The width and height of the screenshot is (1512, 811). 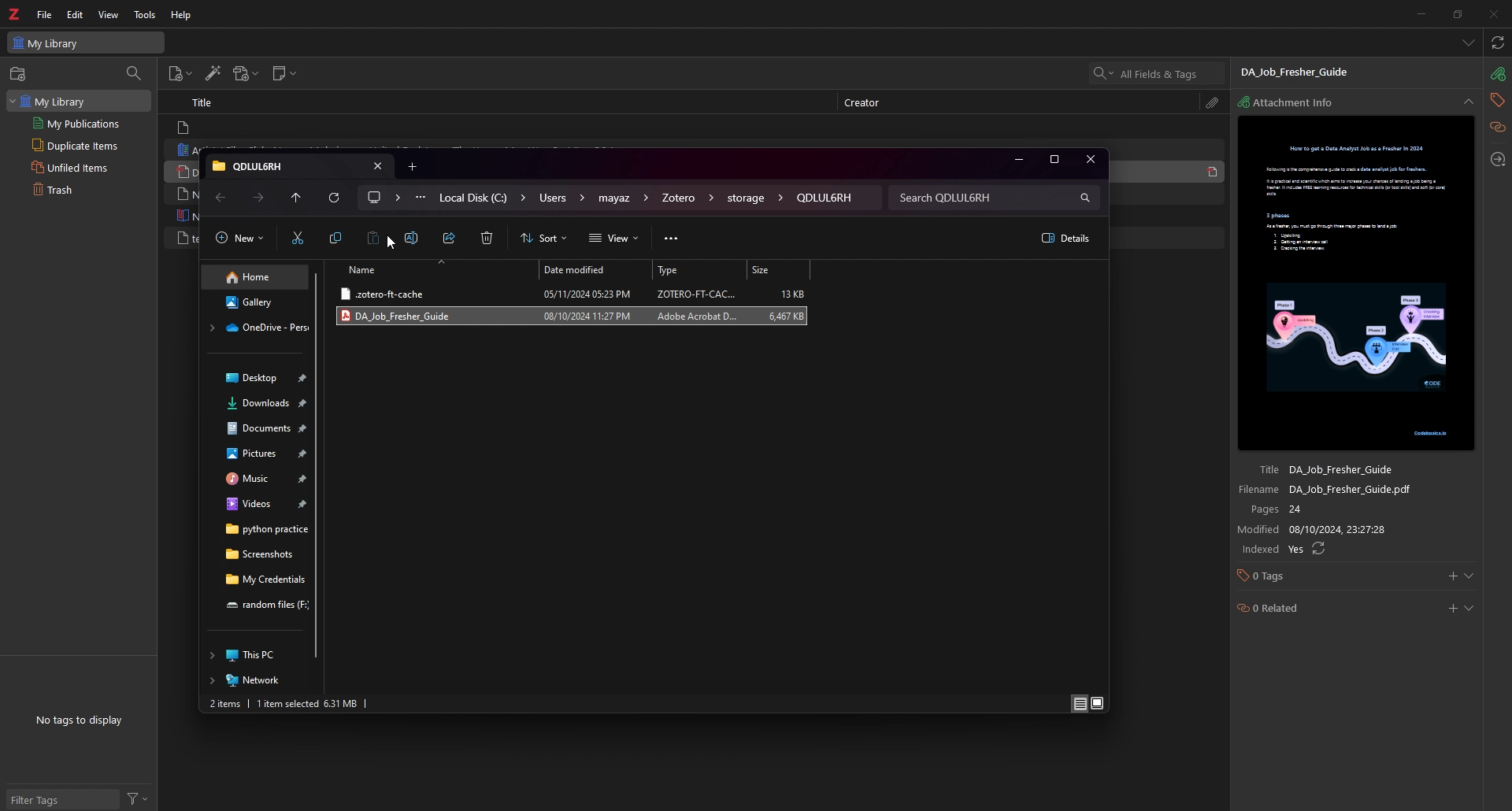 I want to click on folder, so click(x=482, y=198).